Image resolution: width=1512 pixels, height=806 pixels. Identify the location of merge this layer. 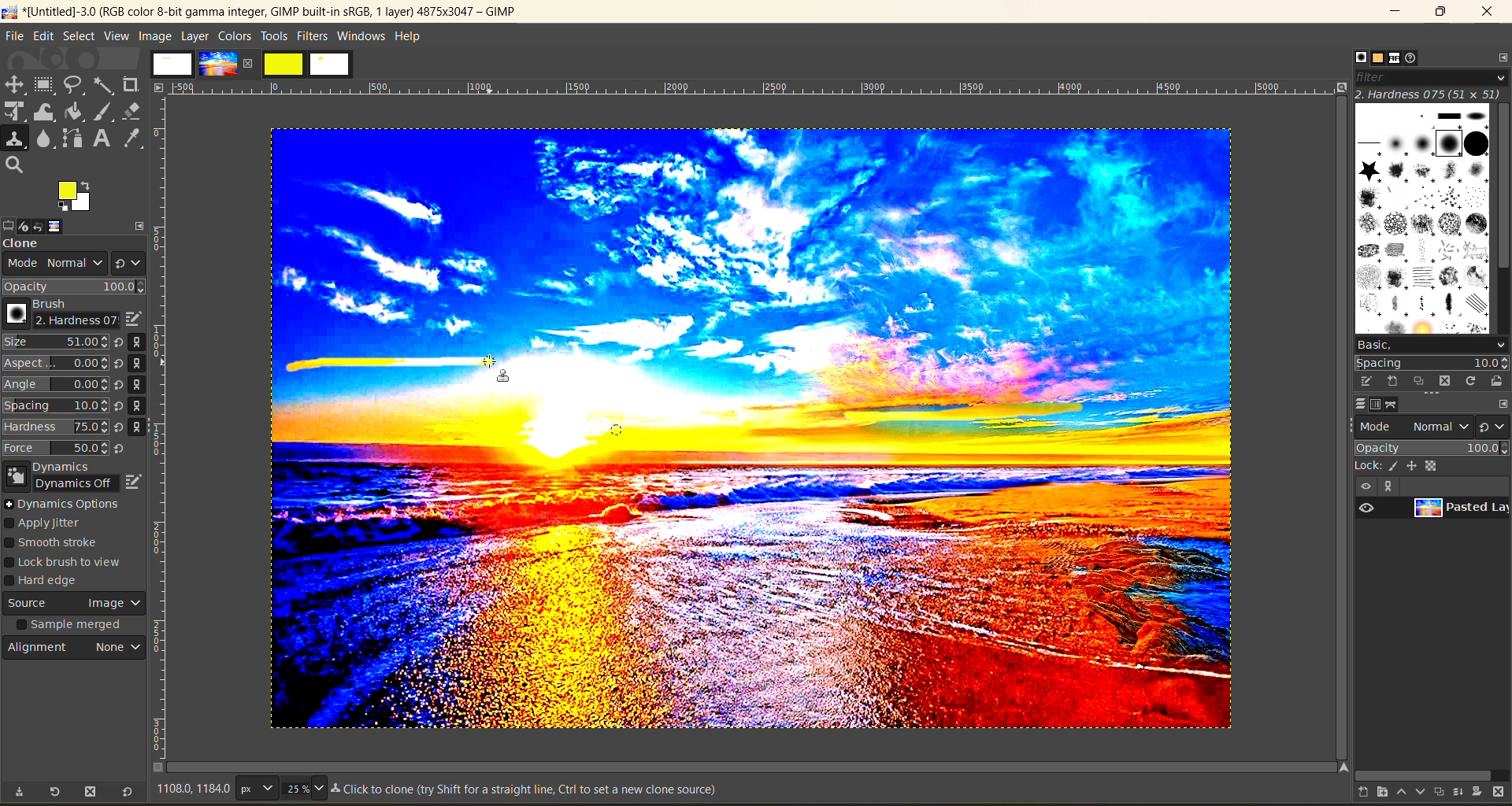
(1458, 791).